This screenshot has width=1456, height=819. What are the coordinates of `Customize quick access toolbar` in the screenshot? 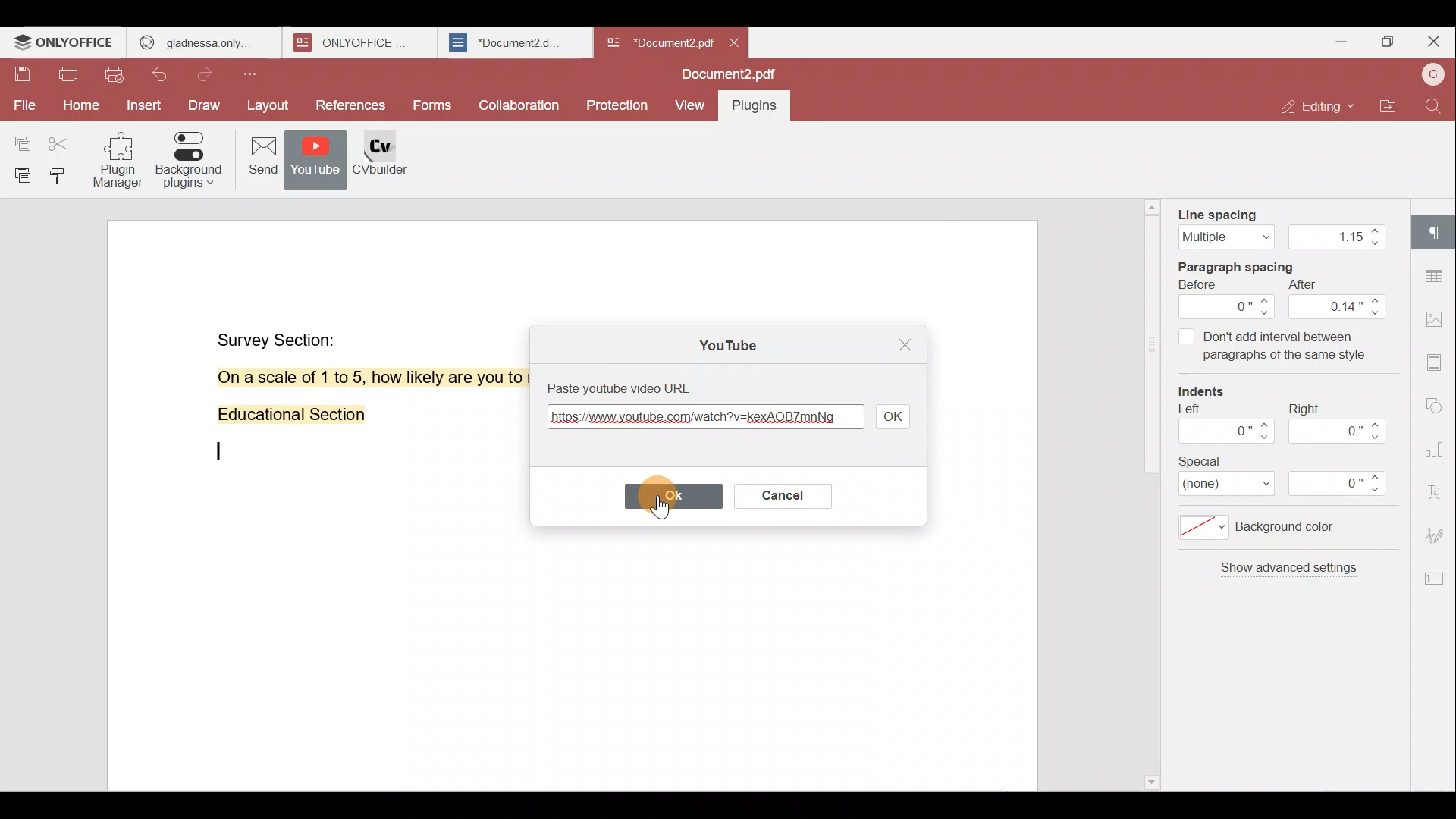 It's located at (256, 74).